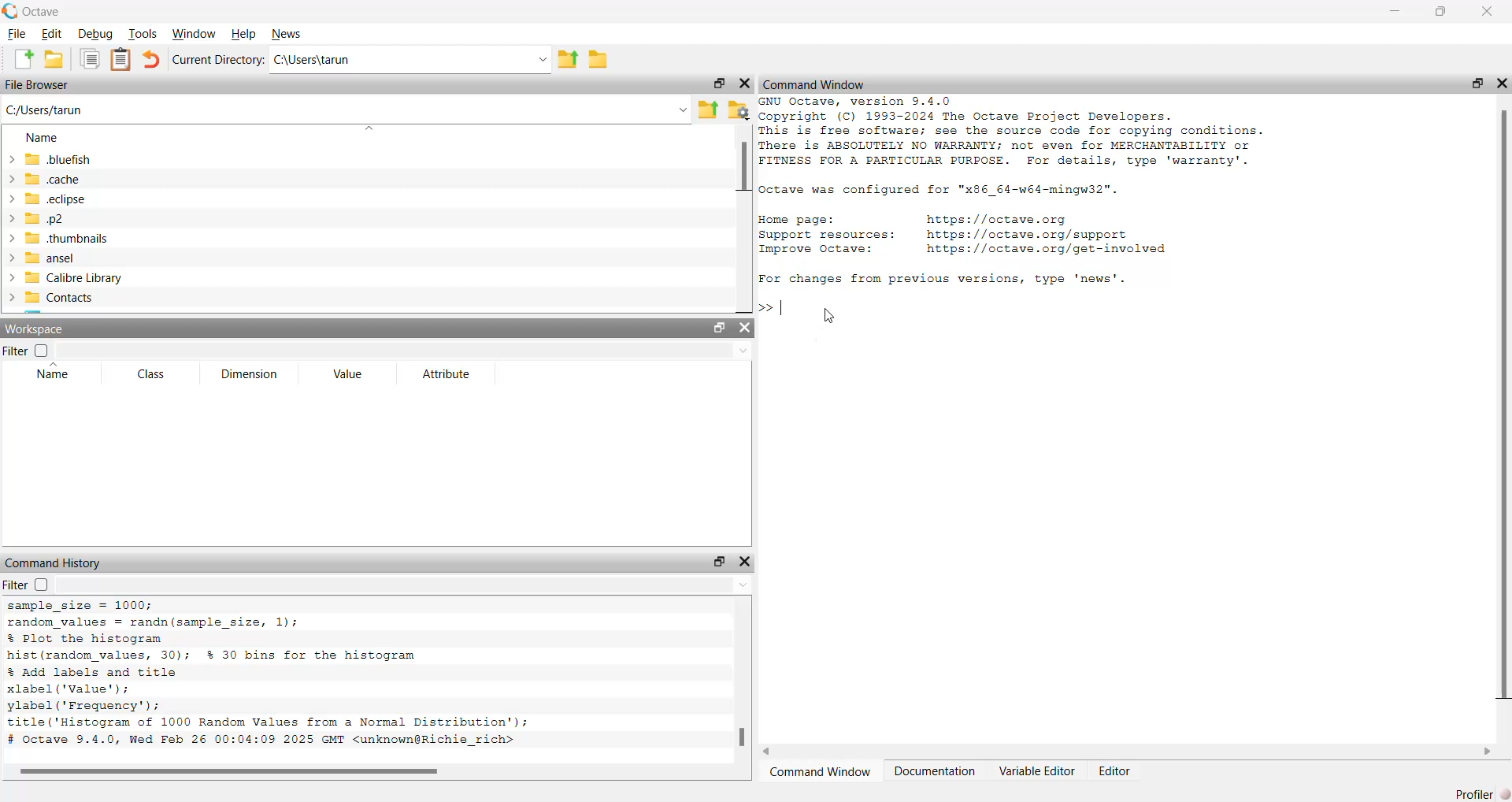 Image resolution: width=1512 pixels, height=802 pixels. Describe the element at coordinates (795, 220) in the screenshot. I see `Home page:` at that location.